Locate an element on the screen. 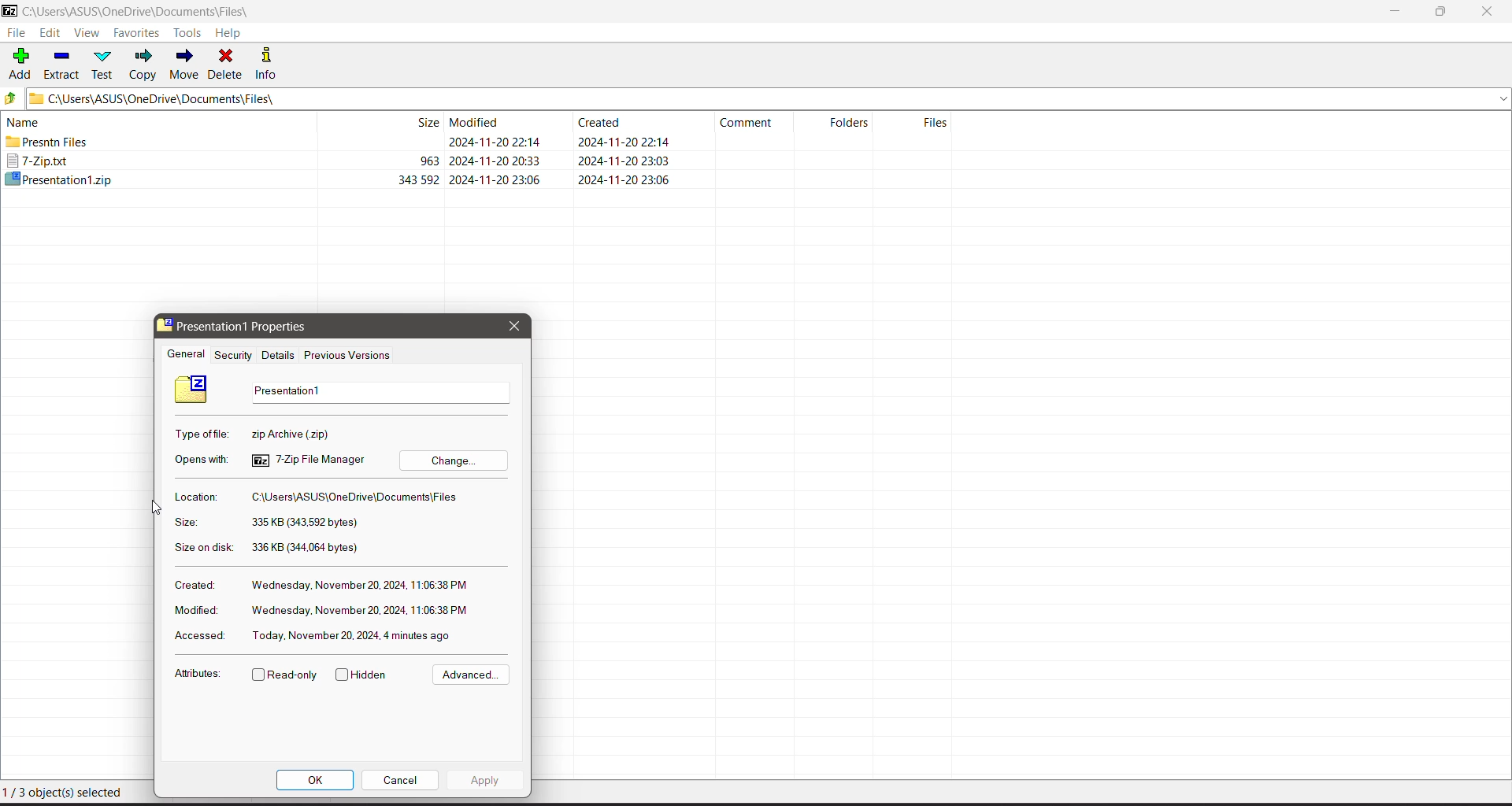 The image size is (1512, 806). Size on disk is located at coordinates (202, 545).